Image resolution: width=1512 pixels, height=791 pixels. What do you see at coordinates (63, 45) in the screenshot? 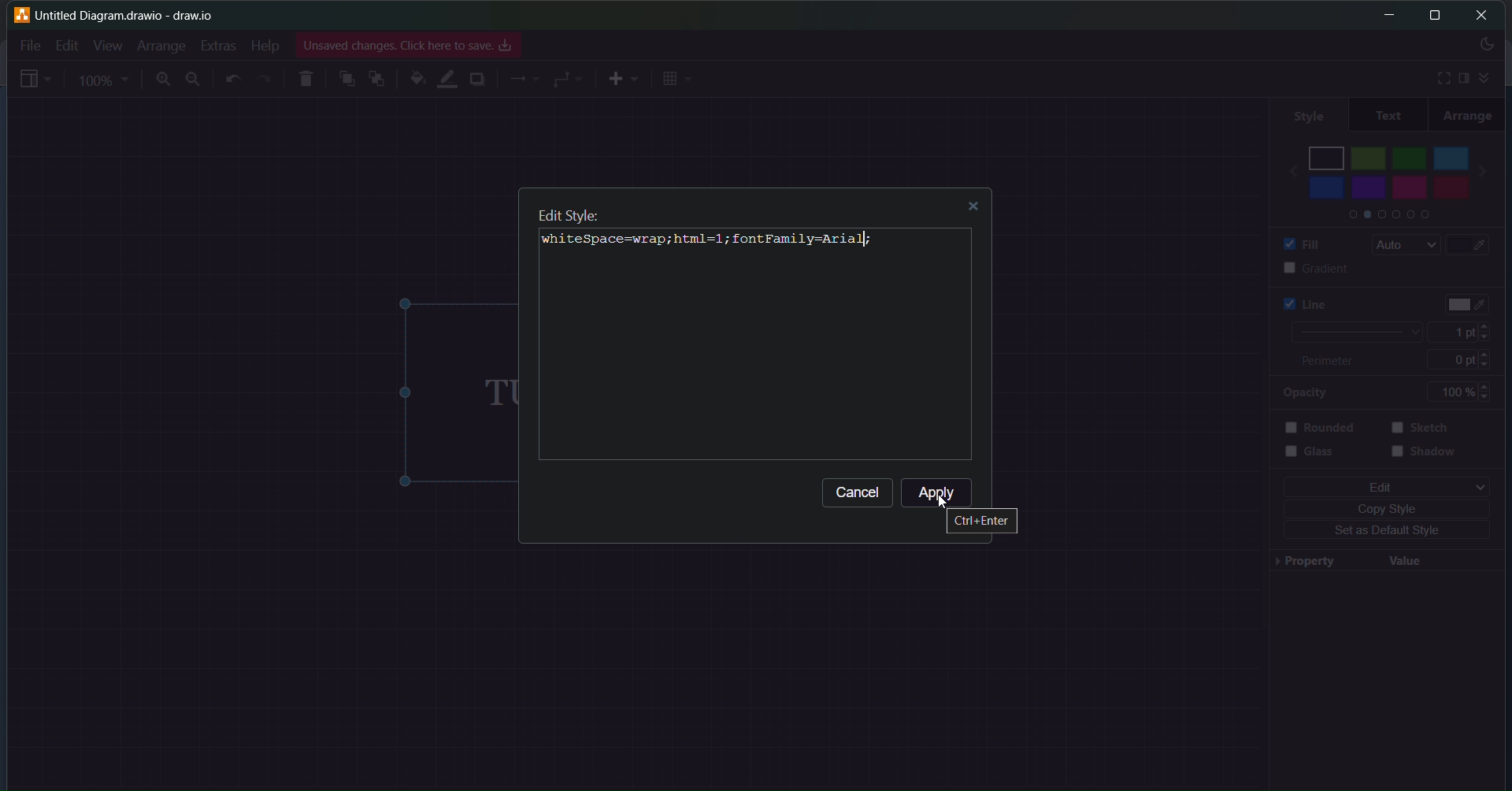
I see `Edit` at bounding box center [63, 45].